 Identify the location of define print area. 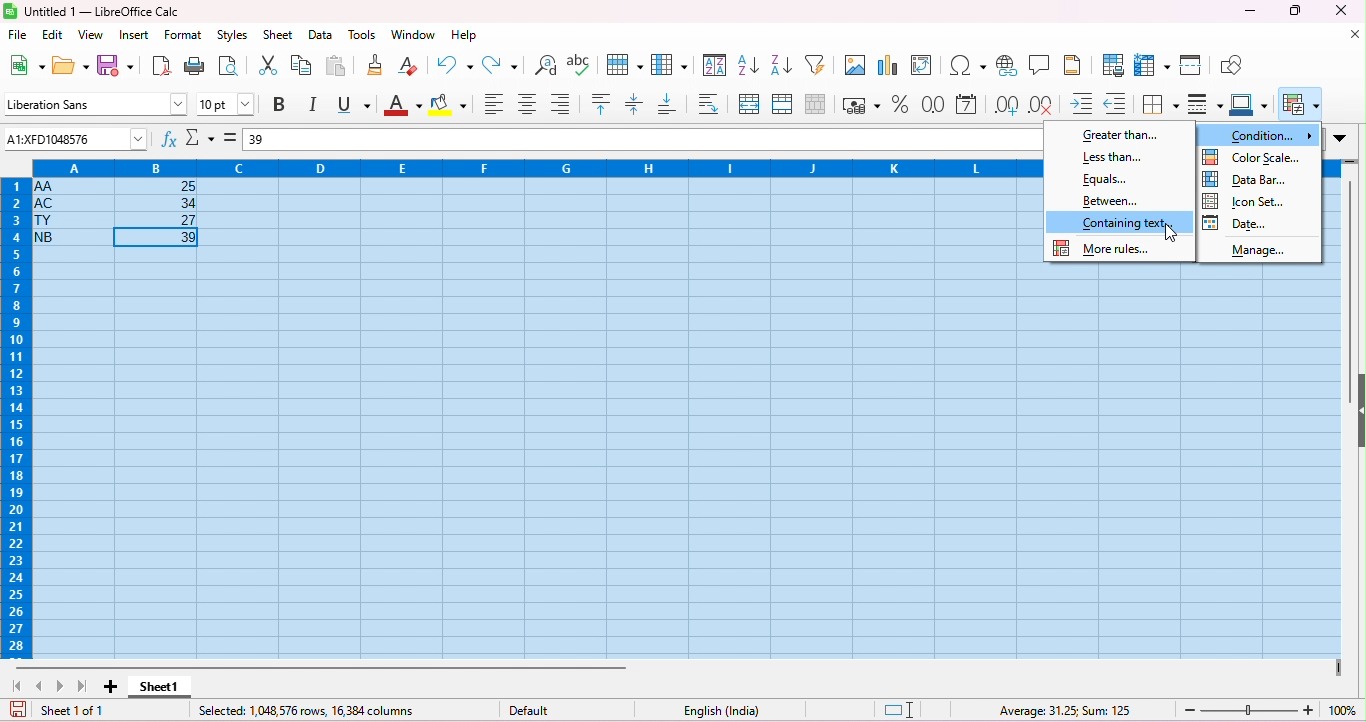
(1112, 66).